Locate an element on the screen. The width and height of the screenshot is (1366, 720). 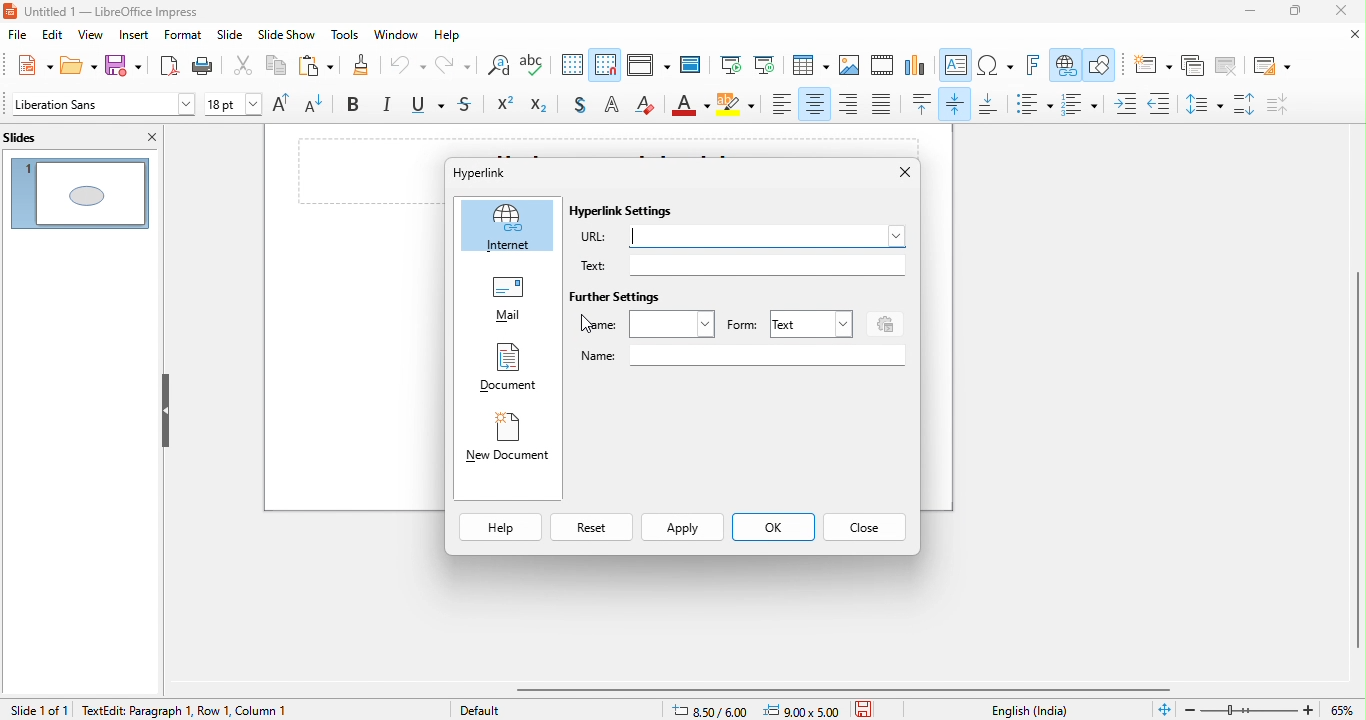
paste is located at coordinates (313, 67).